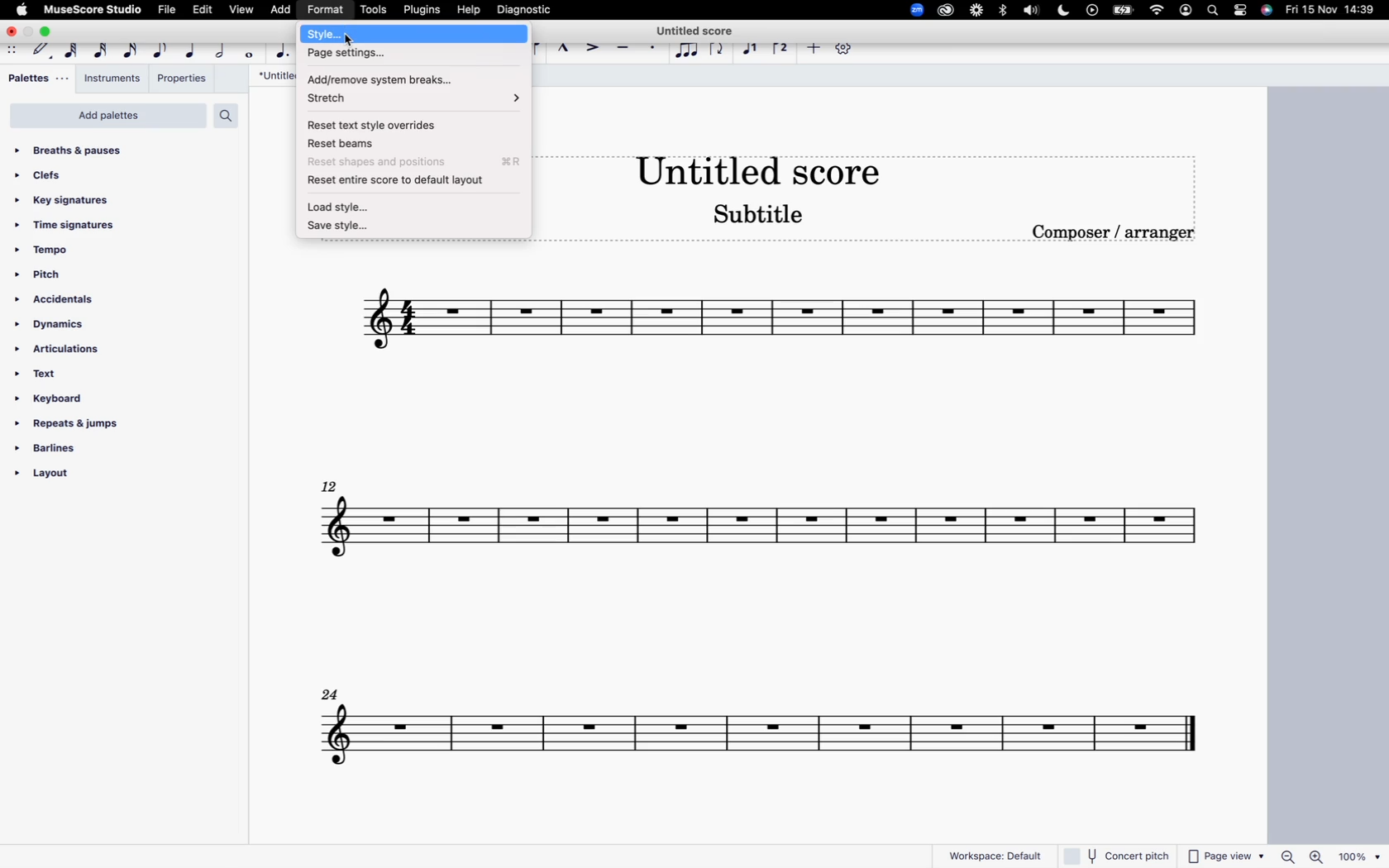 Image resolution: width=1389 pixels, height=868 pixels. I want to click on Subtitle, so click(757, 218).